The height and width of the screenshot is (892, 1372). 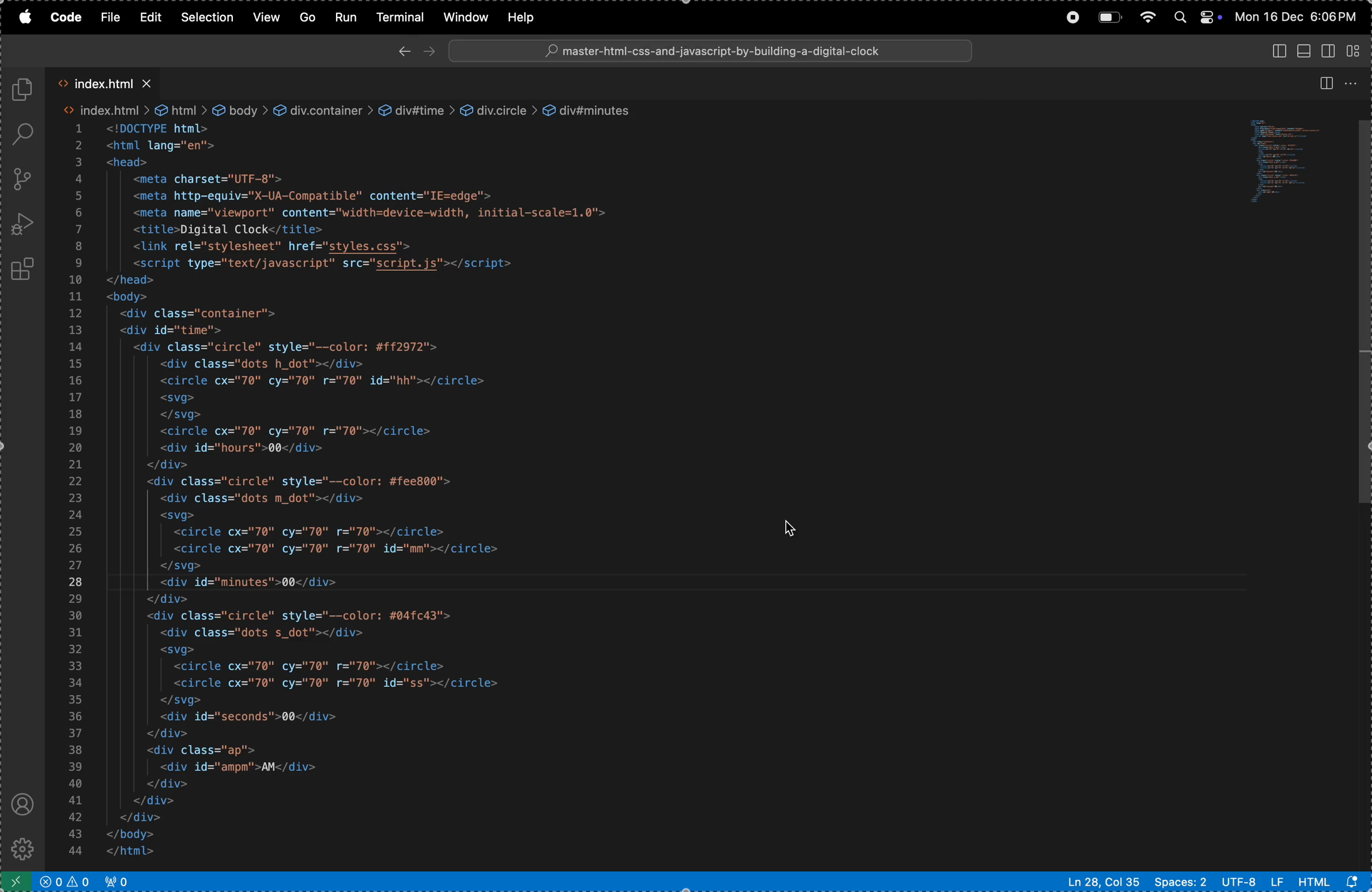 I want to click on forward, so click(x=430, y=51).